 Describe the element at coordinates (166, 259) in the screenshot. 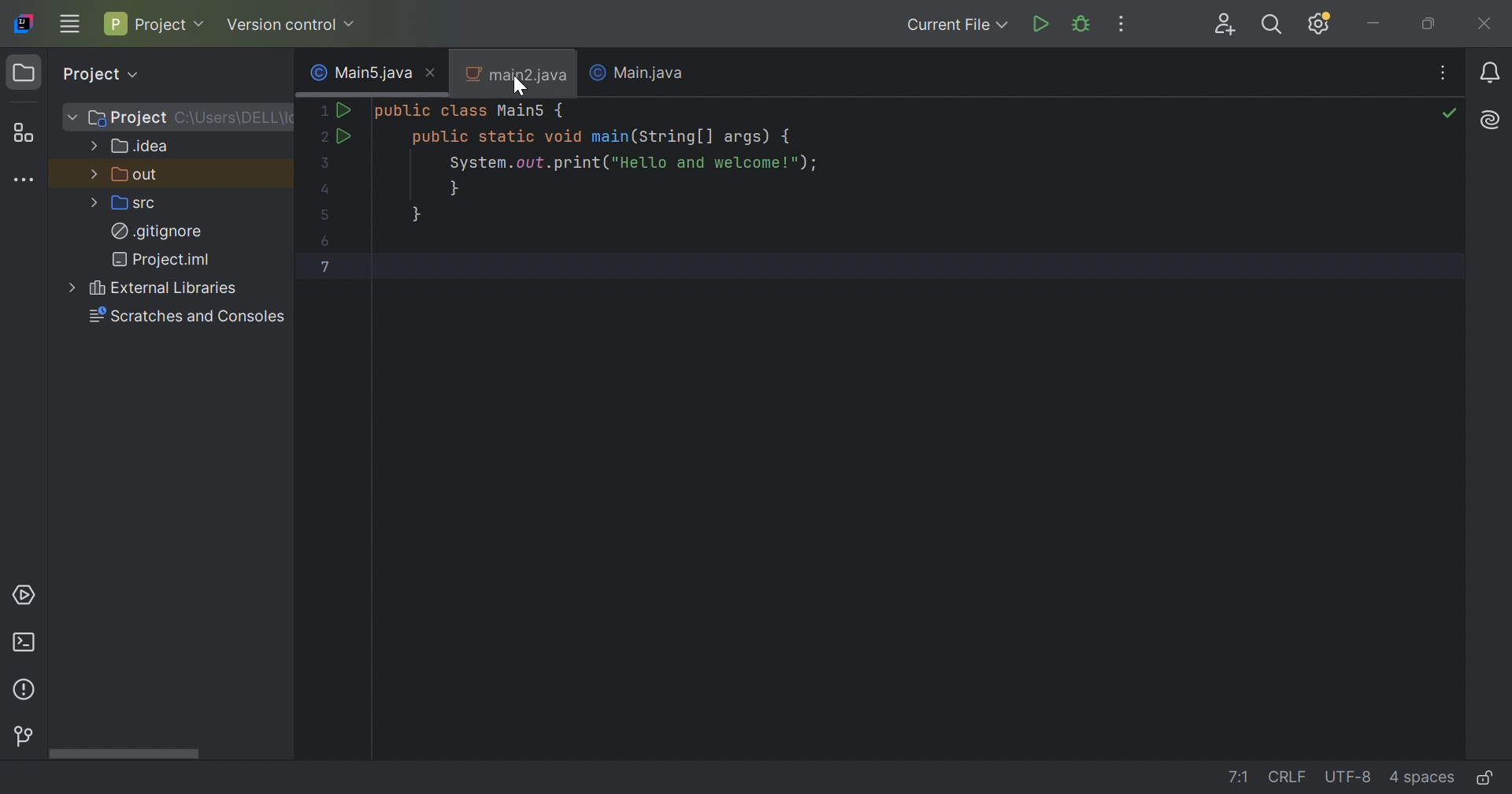

I see `Project.iml` at that location.